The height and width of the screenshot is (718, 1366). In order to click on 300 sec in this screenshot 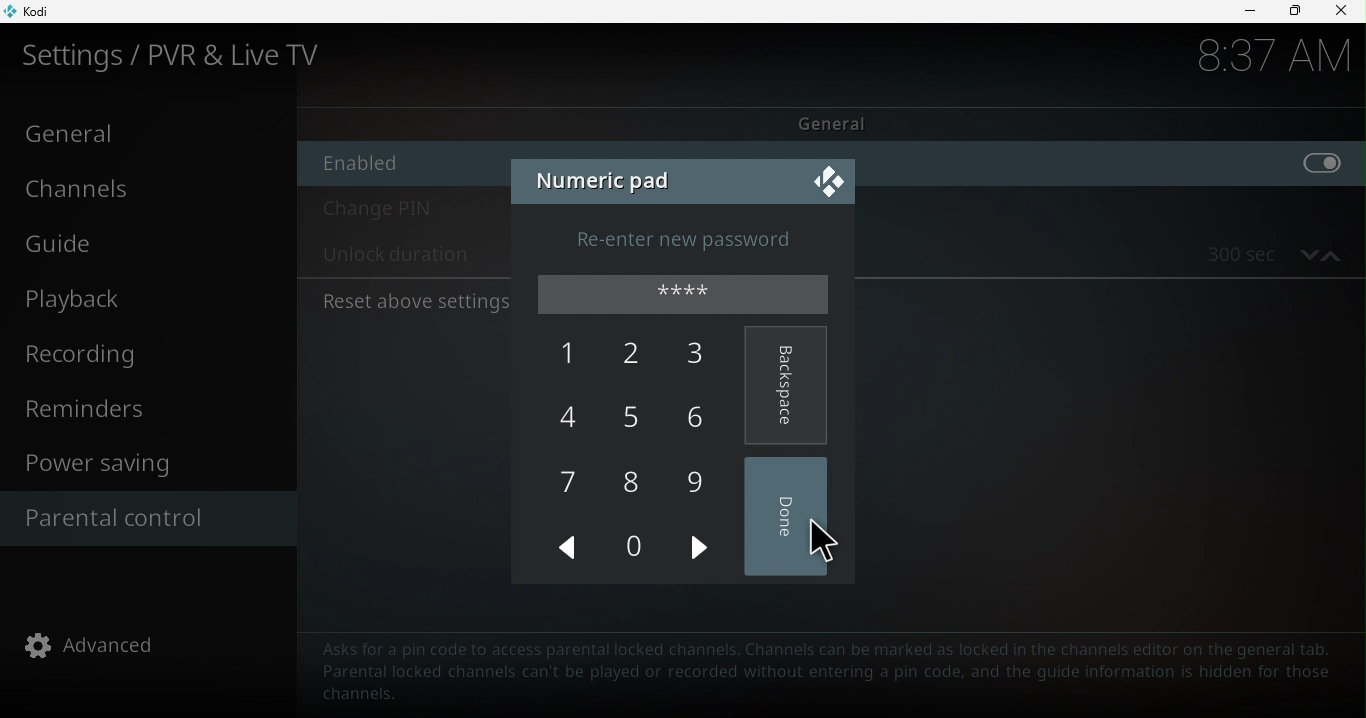, I will do `click(1229, 254)`.